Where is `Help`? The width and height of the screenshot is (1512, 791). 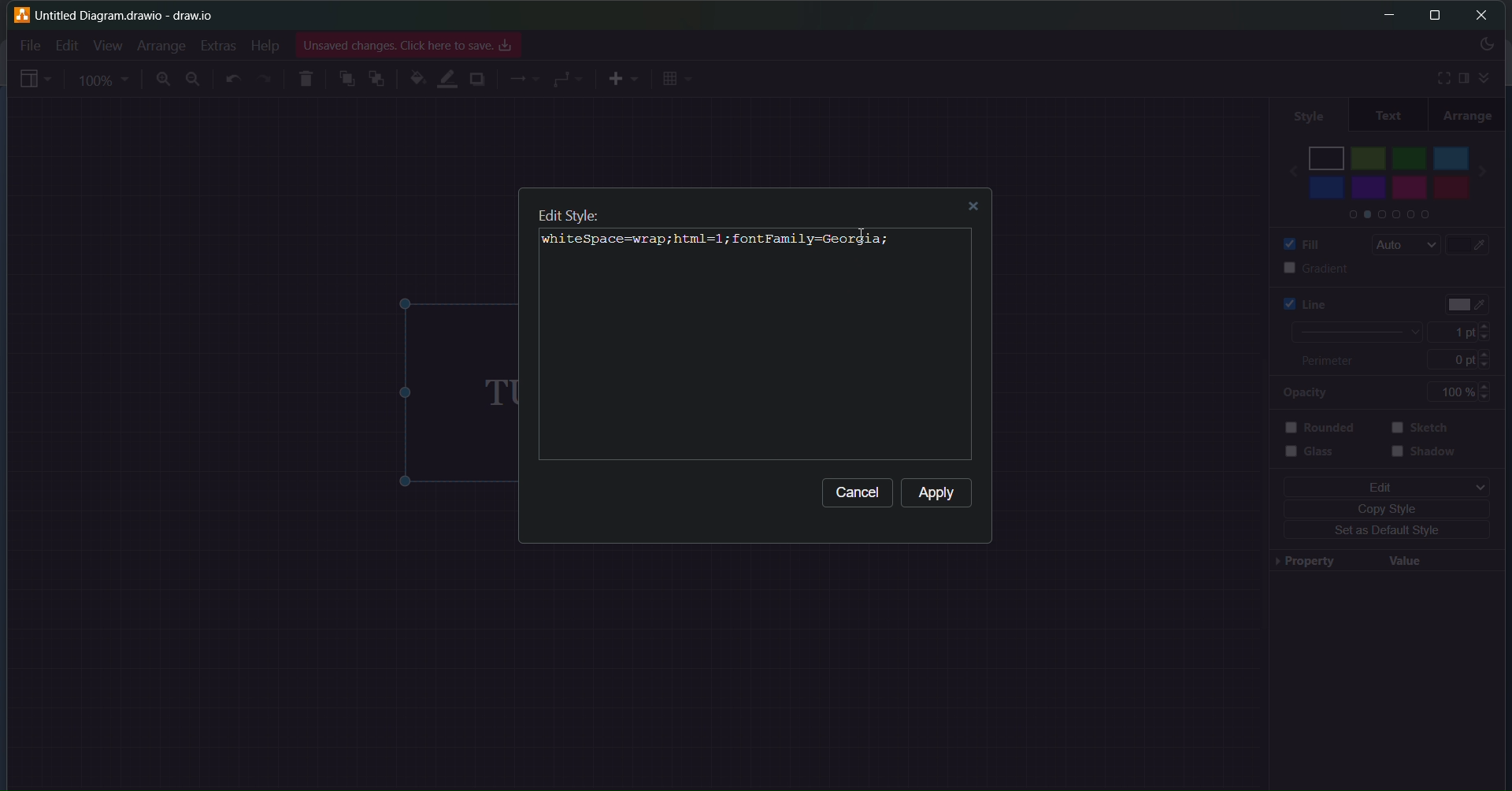
Help is located at coordinates (264, 46).